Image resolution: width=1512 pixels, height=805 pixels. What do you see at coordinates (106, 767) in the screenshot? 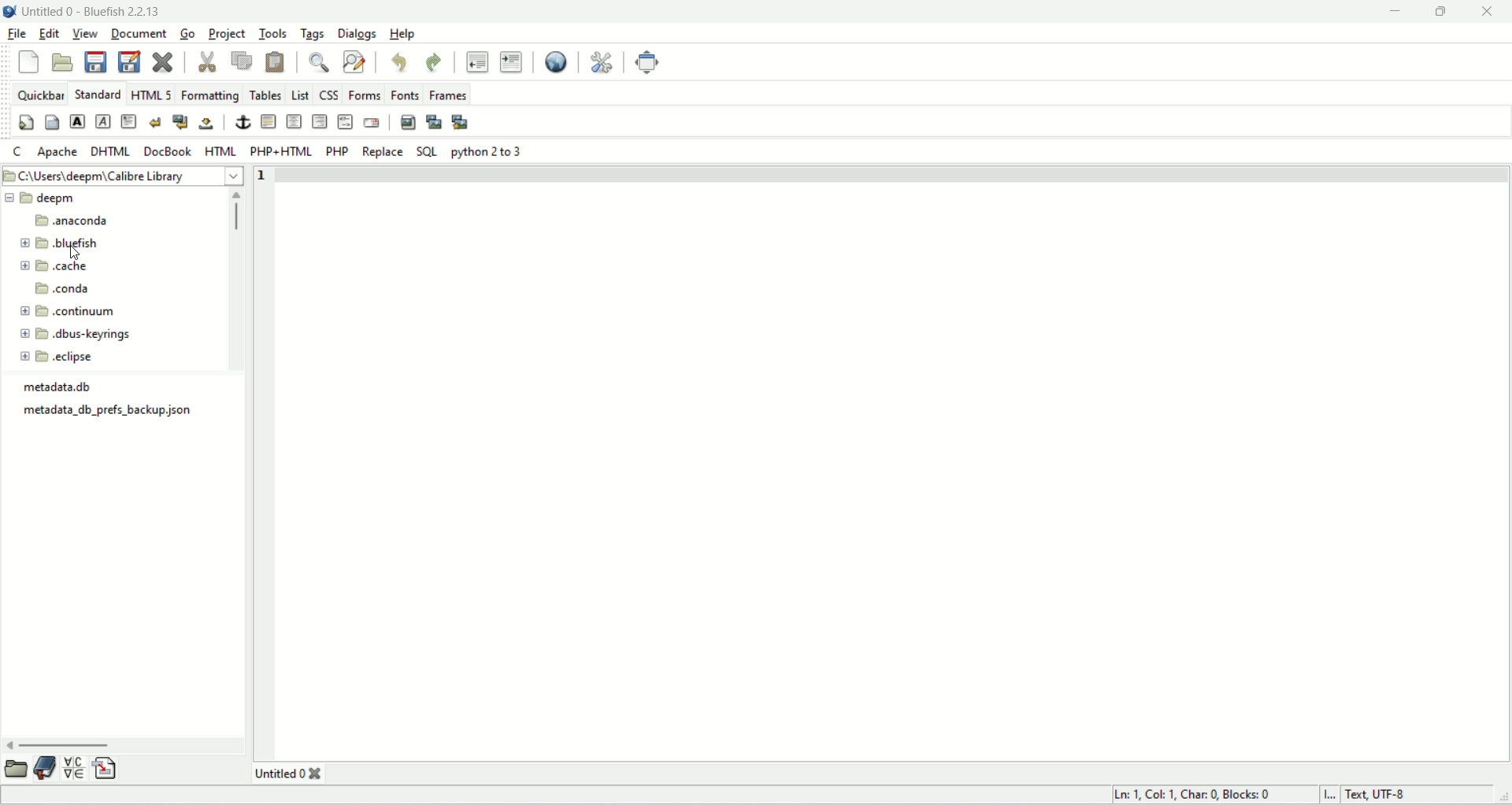
I see `insert file` at bounding box center [106, 767].